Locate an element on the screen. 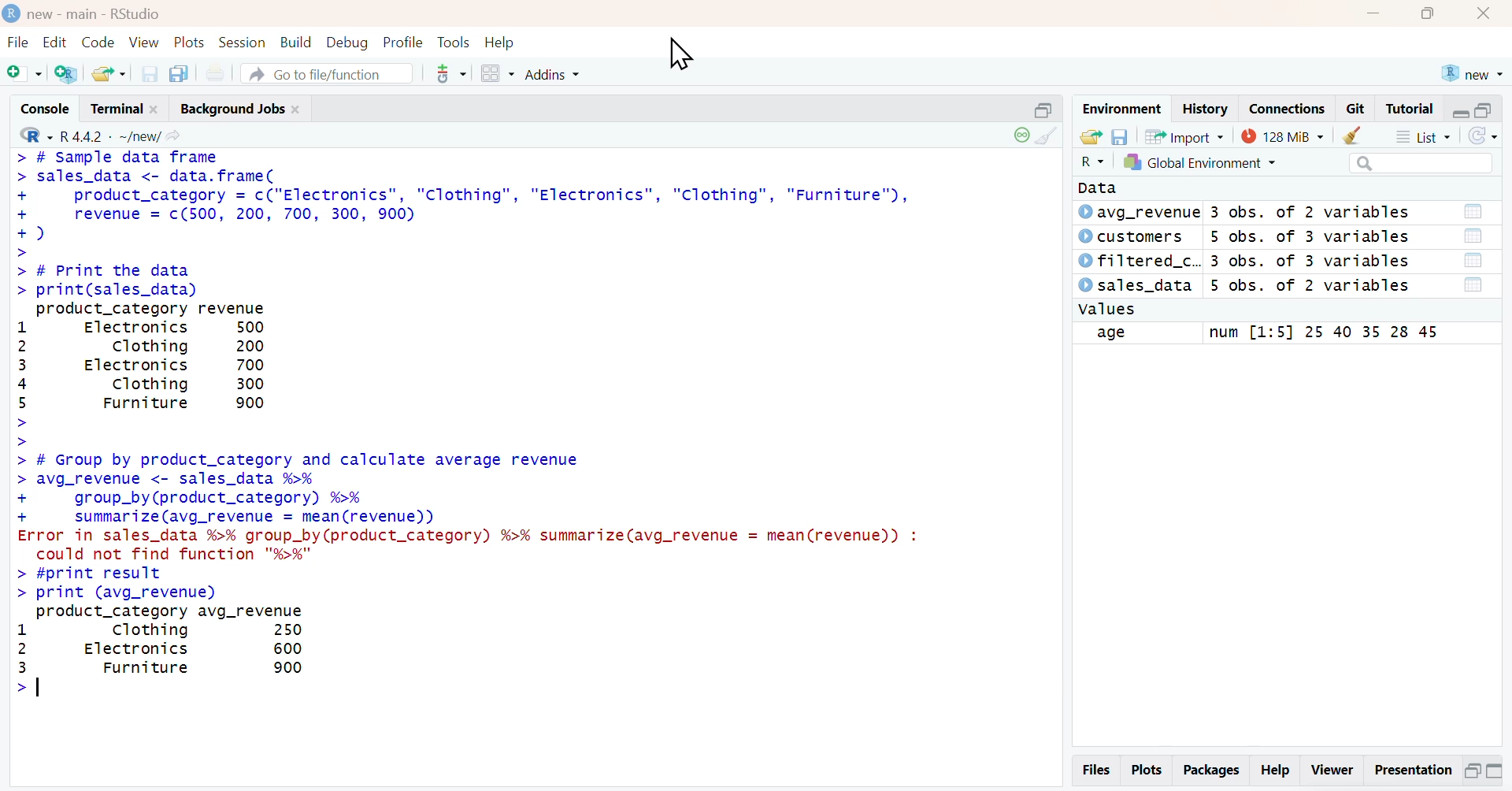 Image resolution: width=1512 pixels, height=791 pixels. File is located at coordinates (20, 43).